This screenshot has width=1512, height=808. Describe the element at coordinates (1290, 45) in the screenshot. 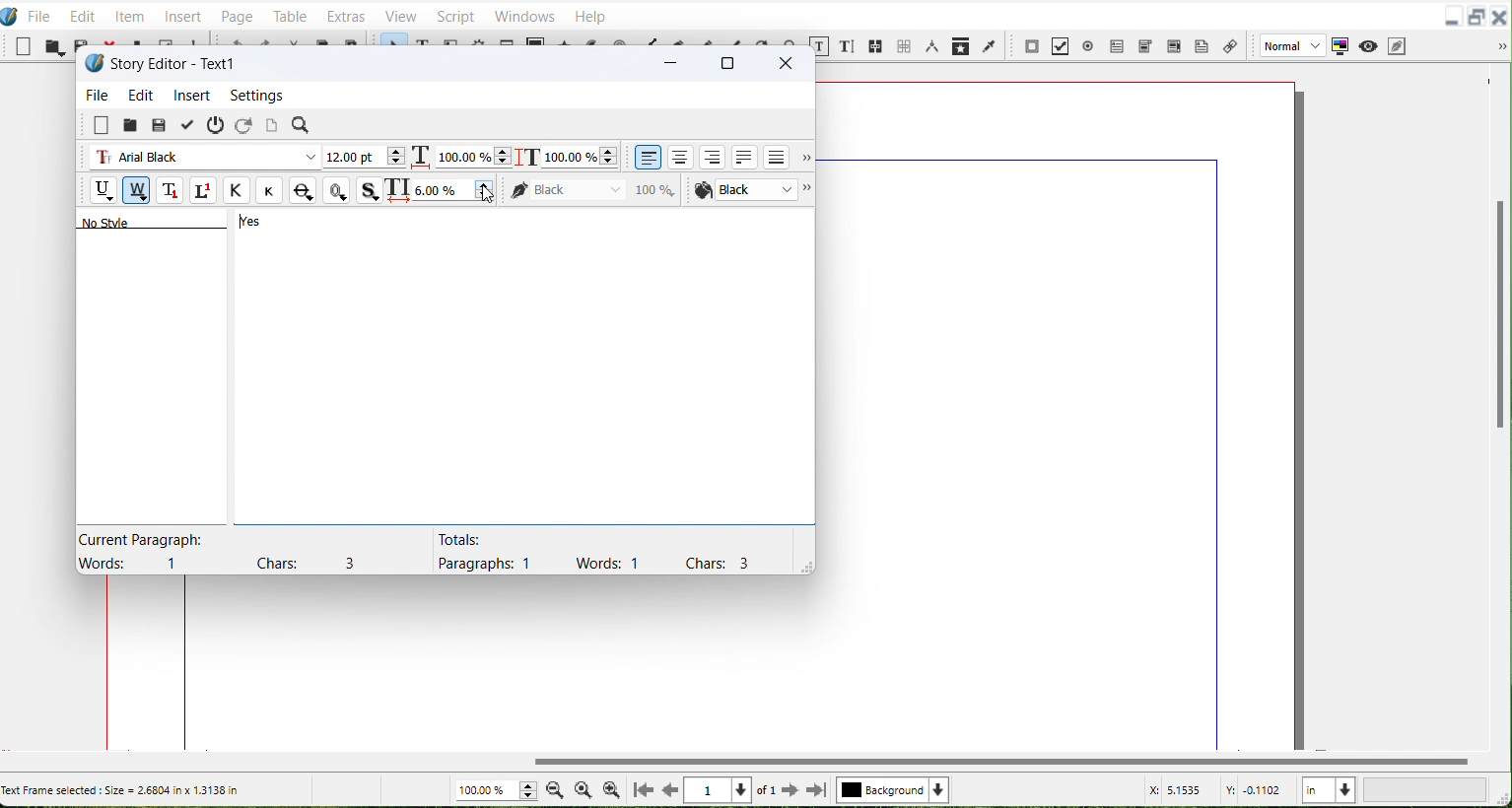

I see `Image Preview Quality` at that location.